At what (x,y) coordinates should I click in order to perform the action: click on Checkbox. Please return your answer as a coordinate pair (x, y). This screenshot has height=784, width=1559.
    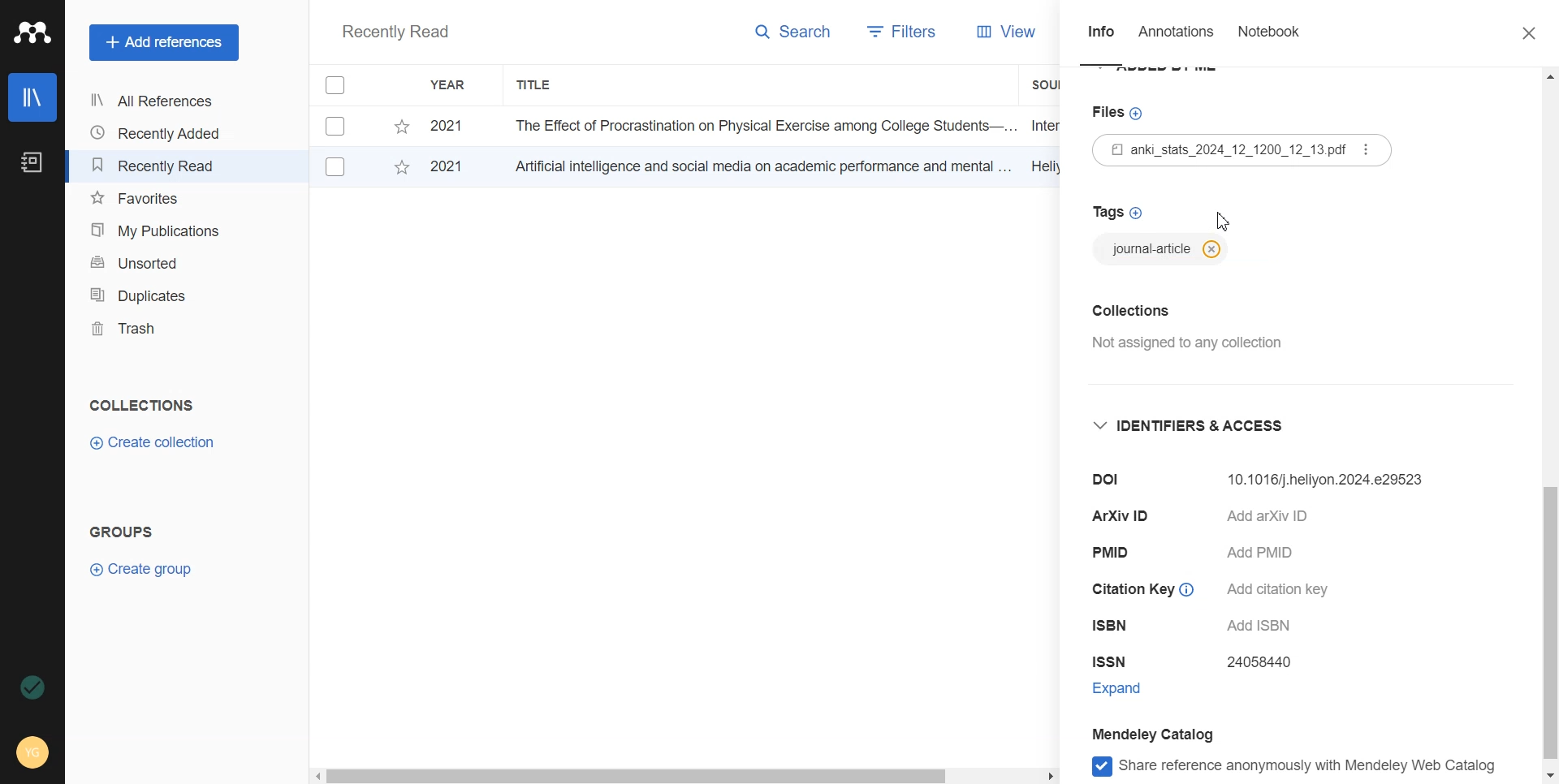
    Looking at the image, I should click on (336, 167).